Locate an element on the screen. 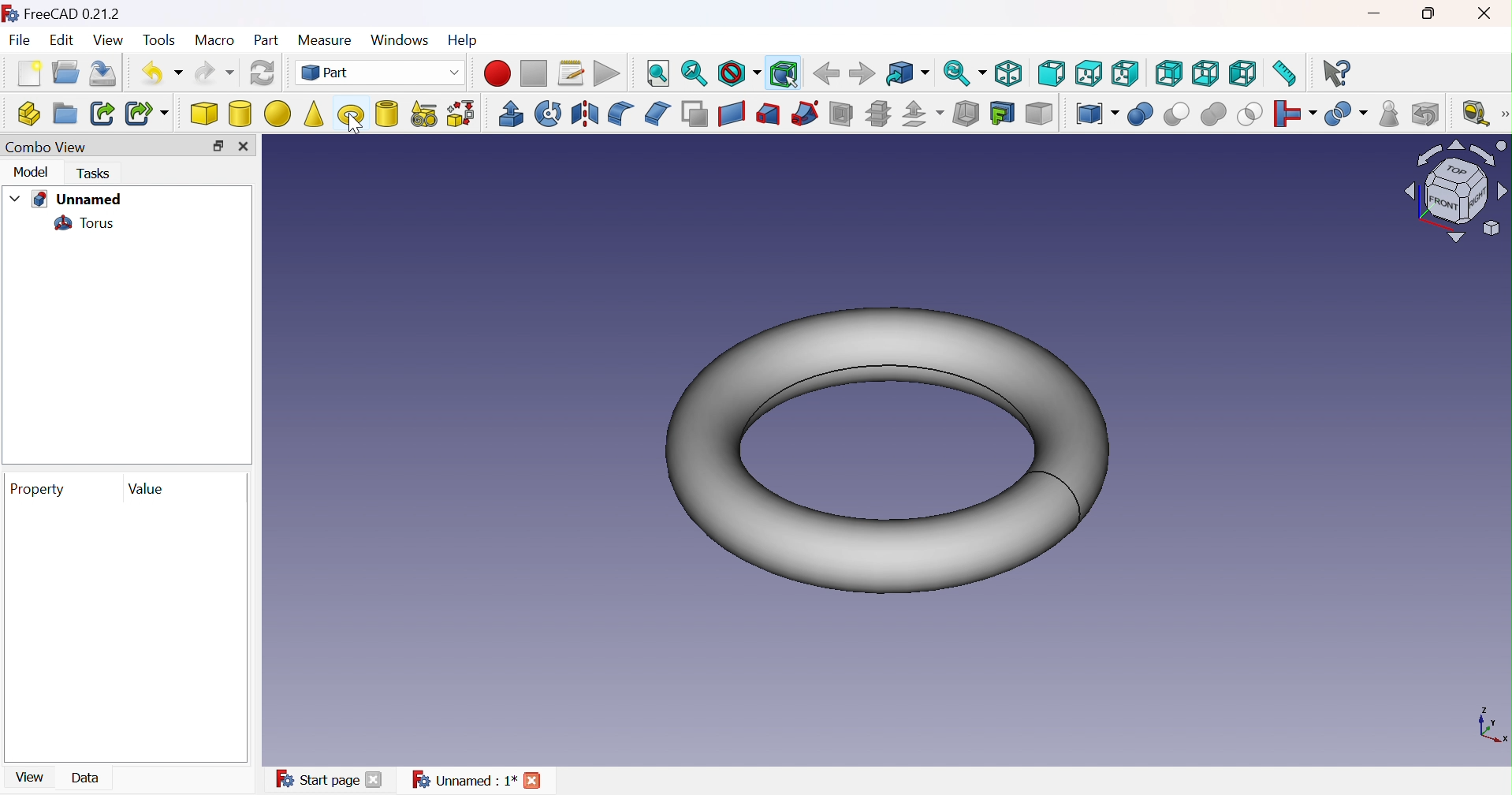 The image size is (1512, 795). Offset: is located at coordinates (923, 114).